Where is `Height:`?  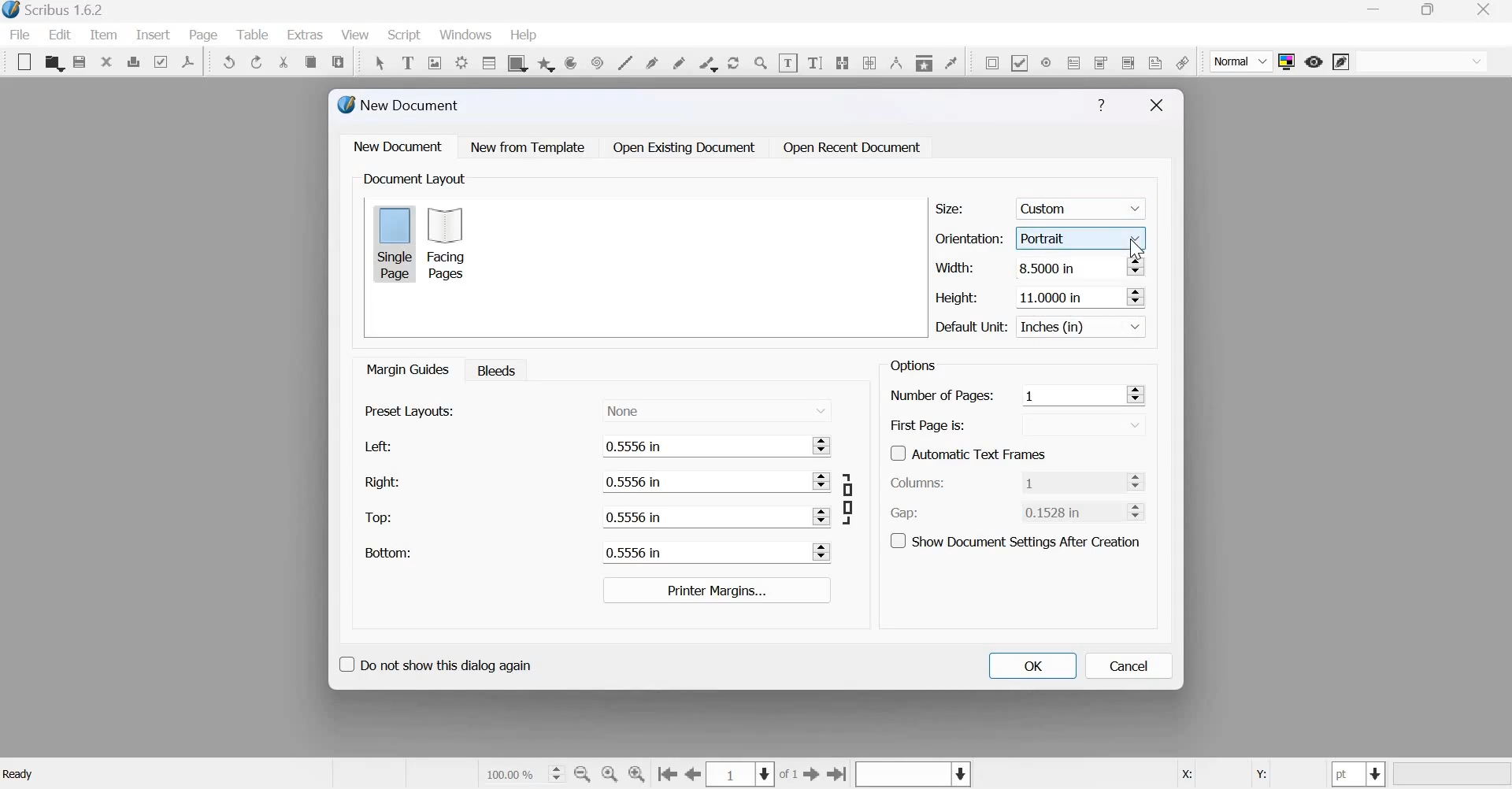 Height: is located at coordinates (957, 298).